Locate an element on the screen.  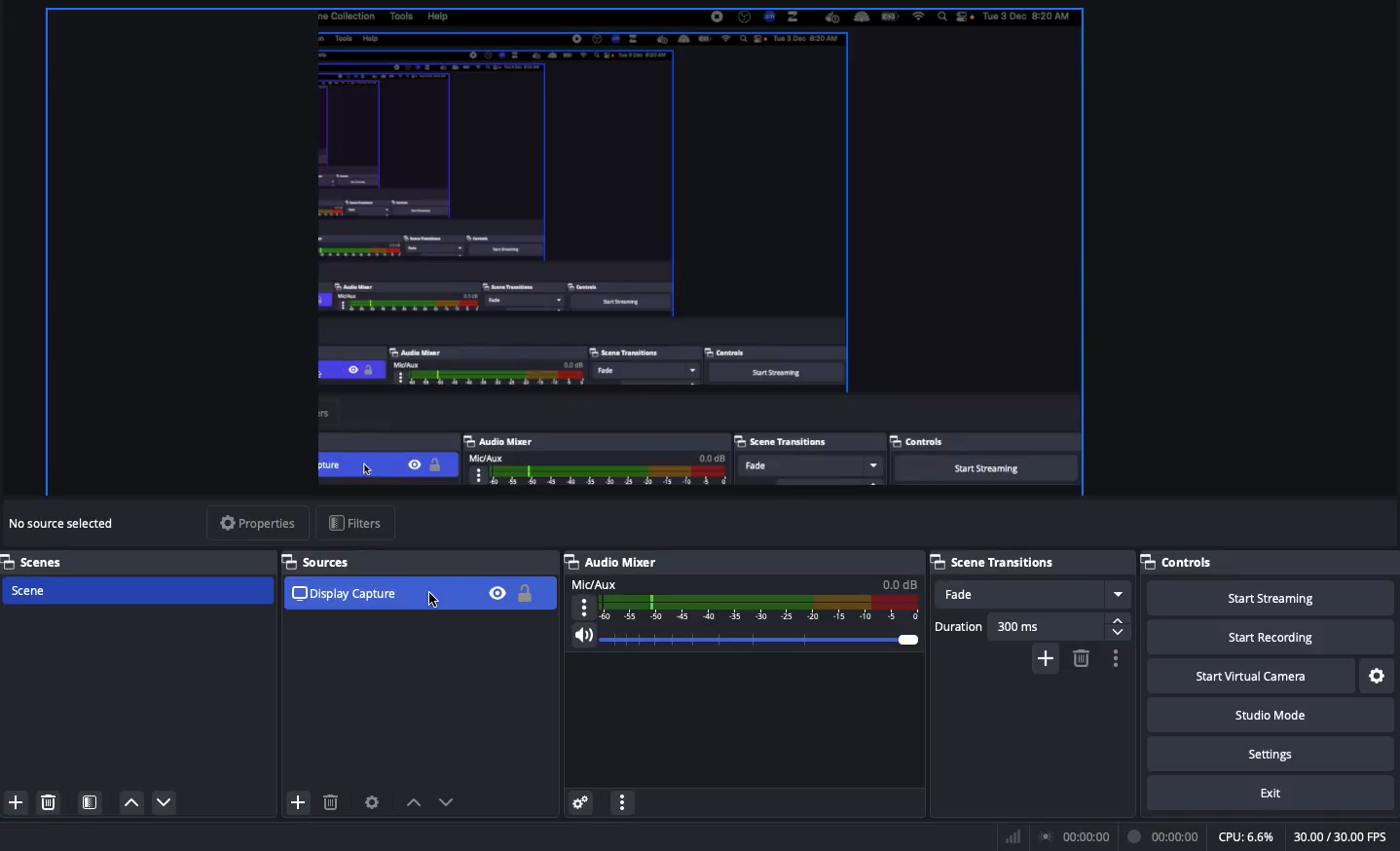
Start virtual camera is located at coordinates (1250, 679).